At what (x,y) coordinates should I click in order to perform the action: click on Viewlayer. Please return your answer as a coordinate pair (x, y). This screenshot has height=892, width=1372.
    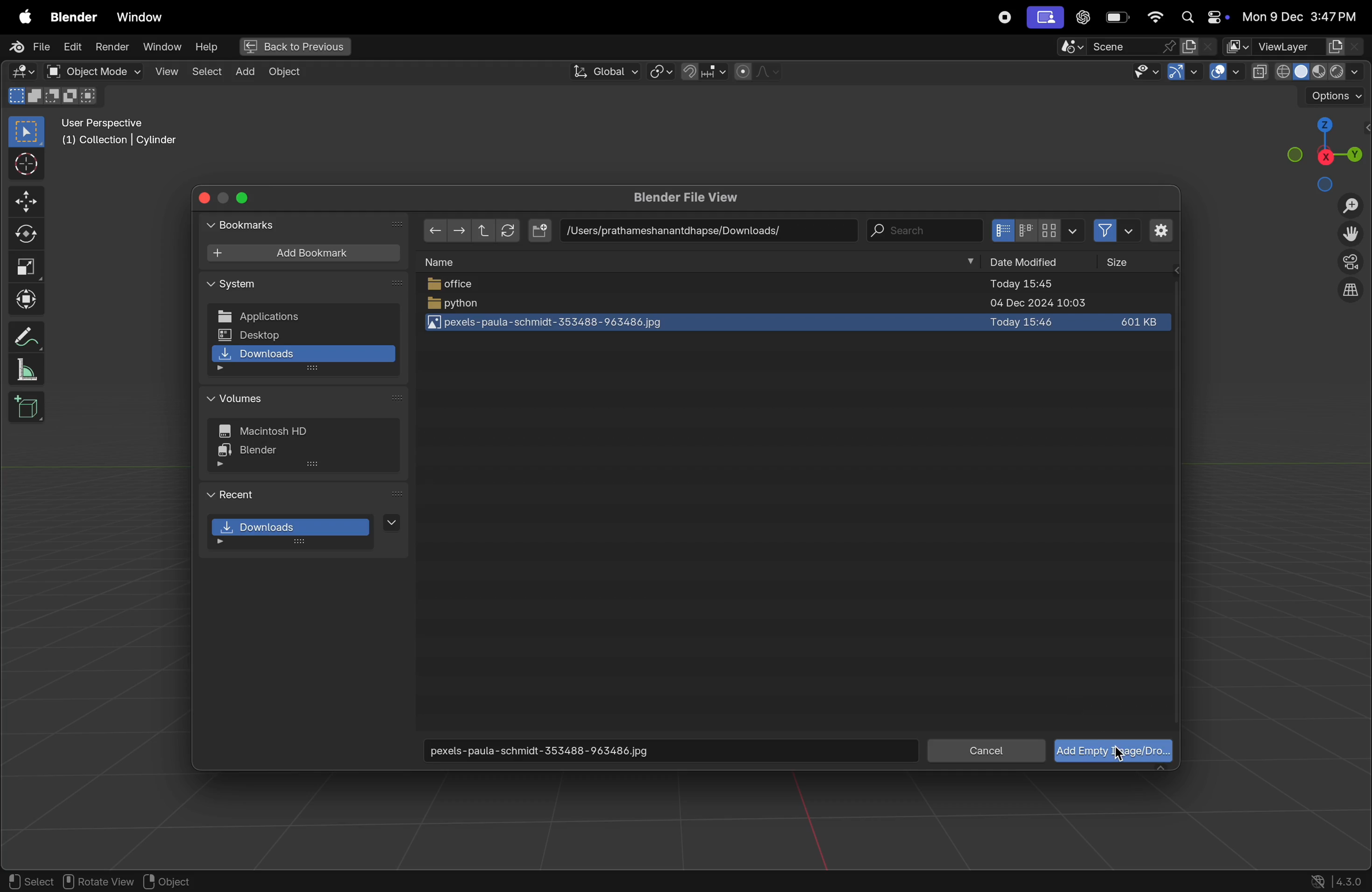
    Looking at the image, I should click on (1295, 47).